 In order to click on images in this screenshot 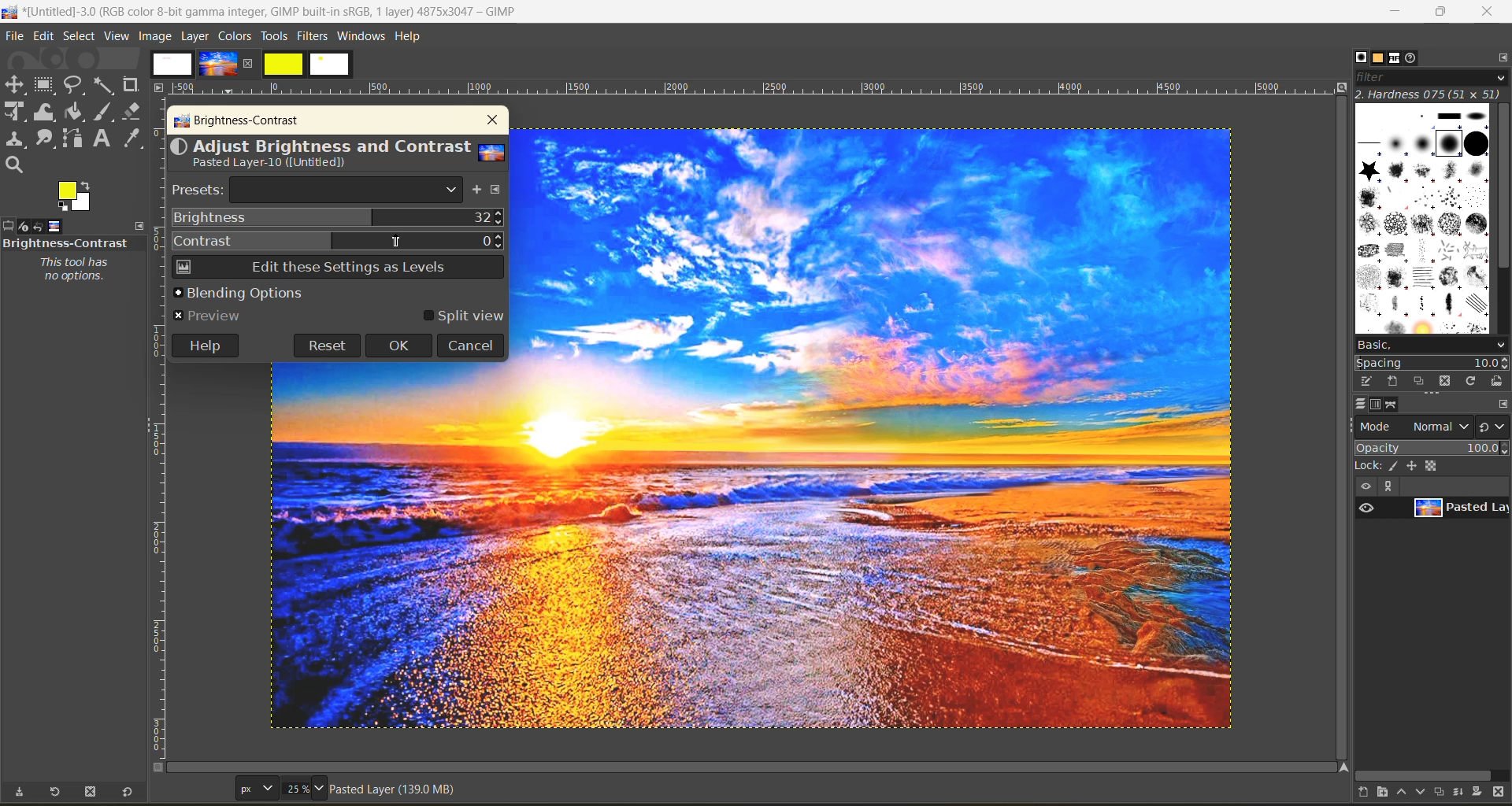, I will do `click(55, 224)`.